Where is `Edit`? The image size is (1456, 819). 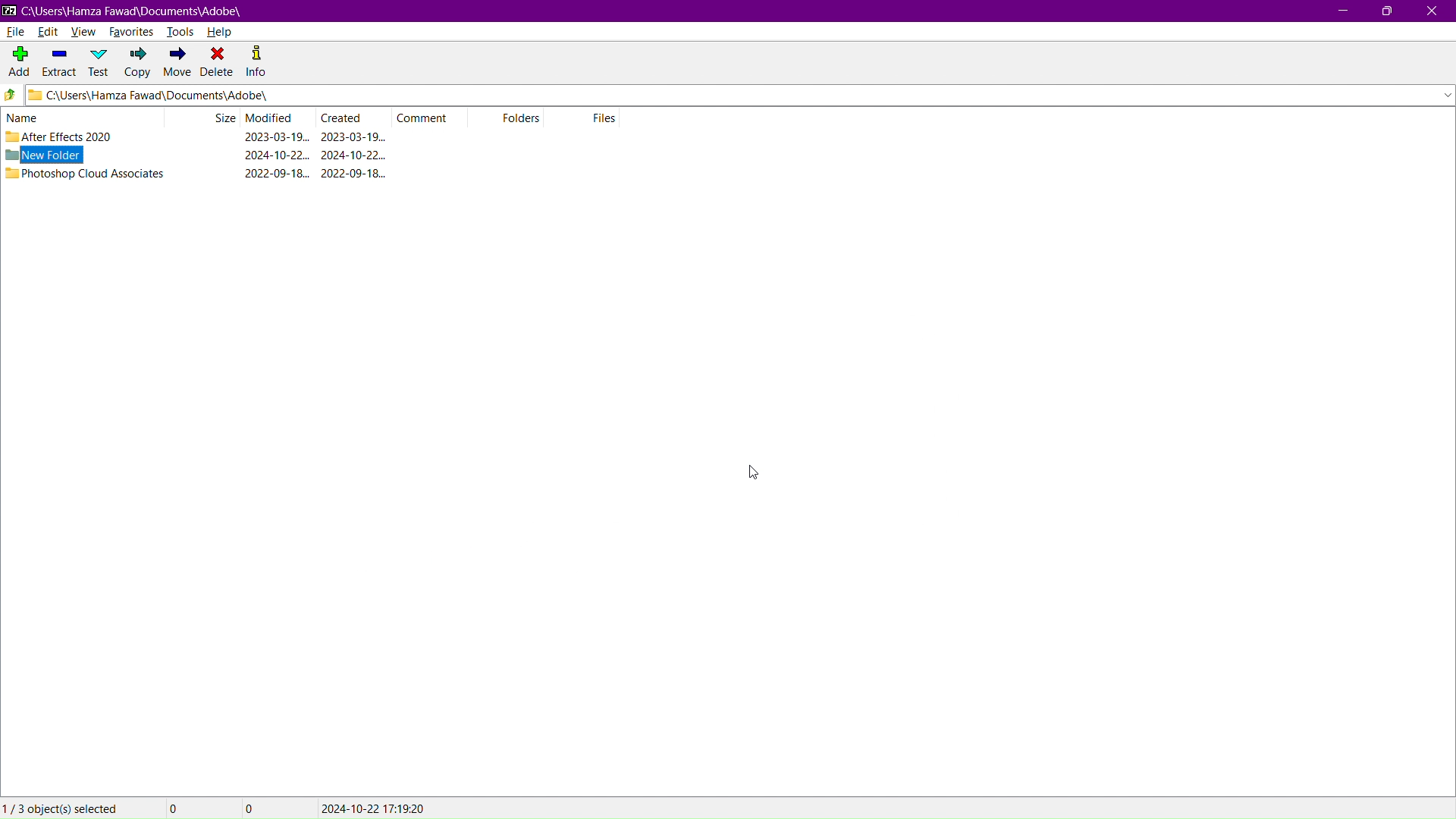 Edit is located at coordinates (49, 31).